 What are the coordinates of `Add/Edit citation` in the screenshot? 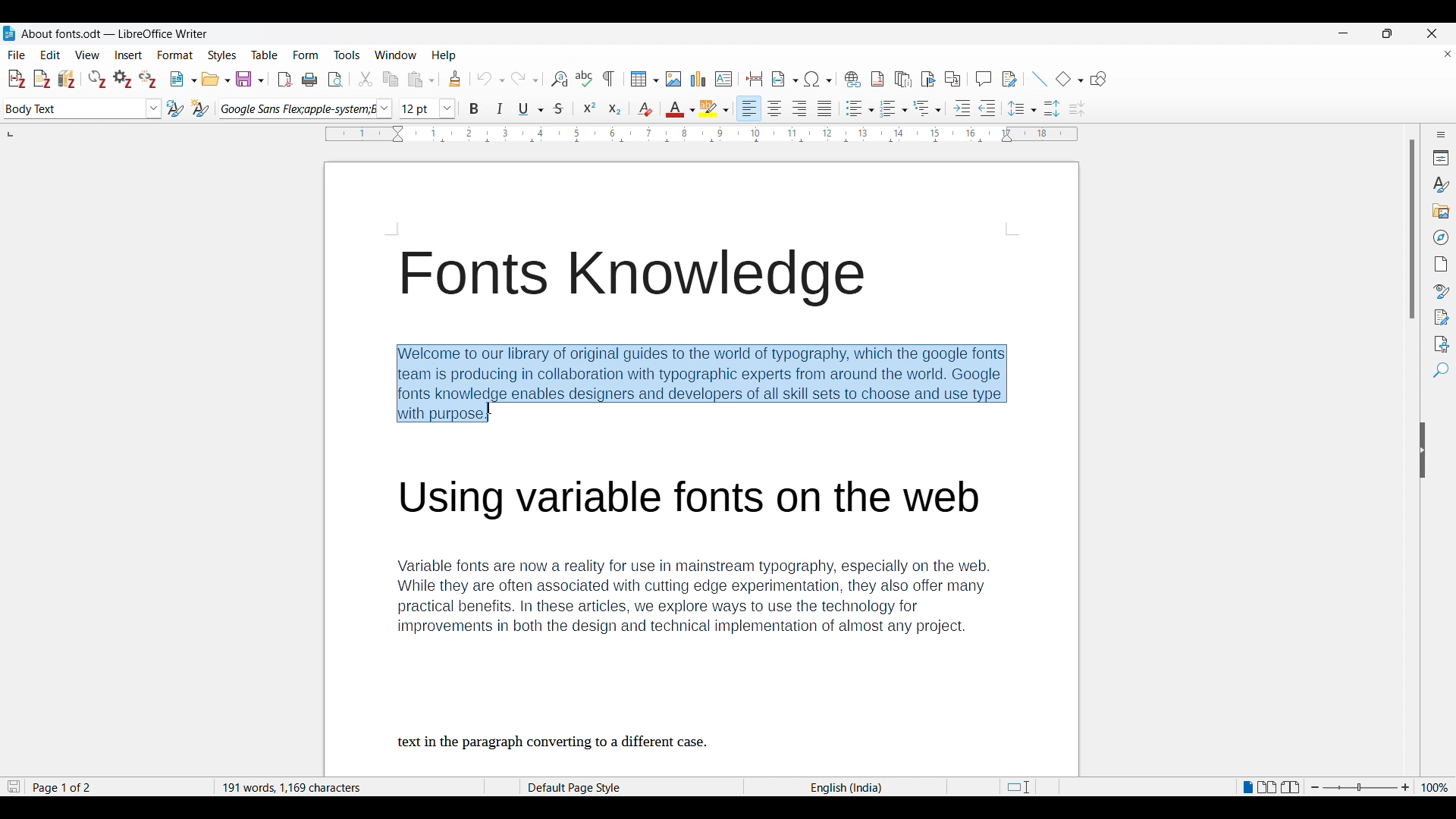 It's located at (17, 79).